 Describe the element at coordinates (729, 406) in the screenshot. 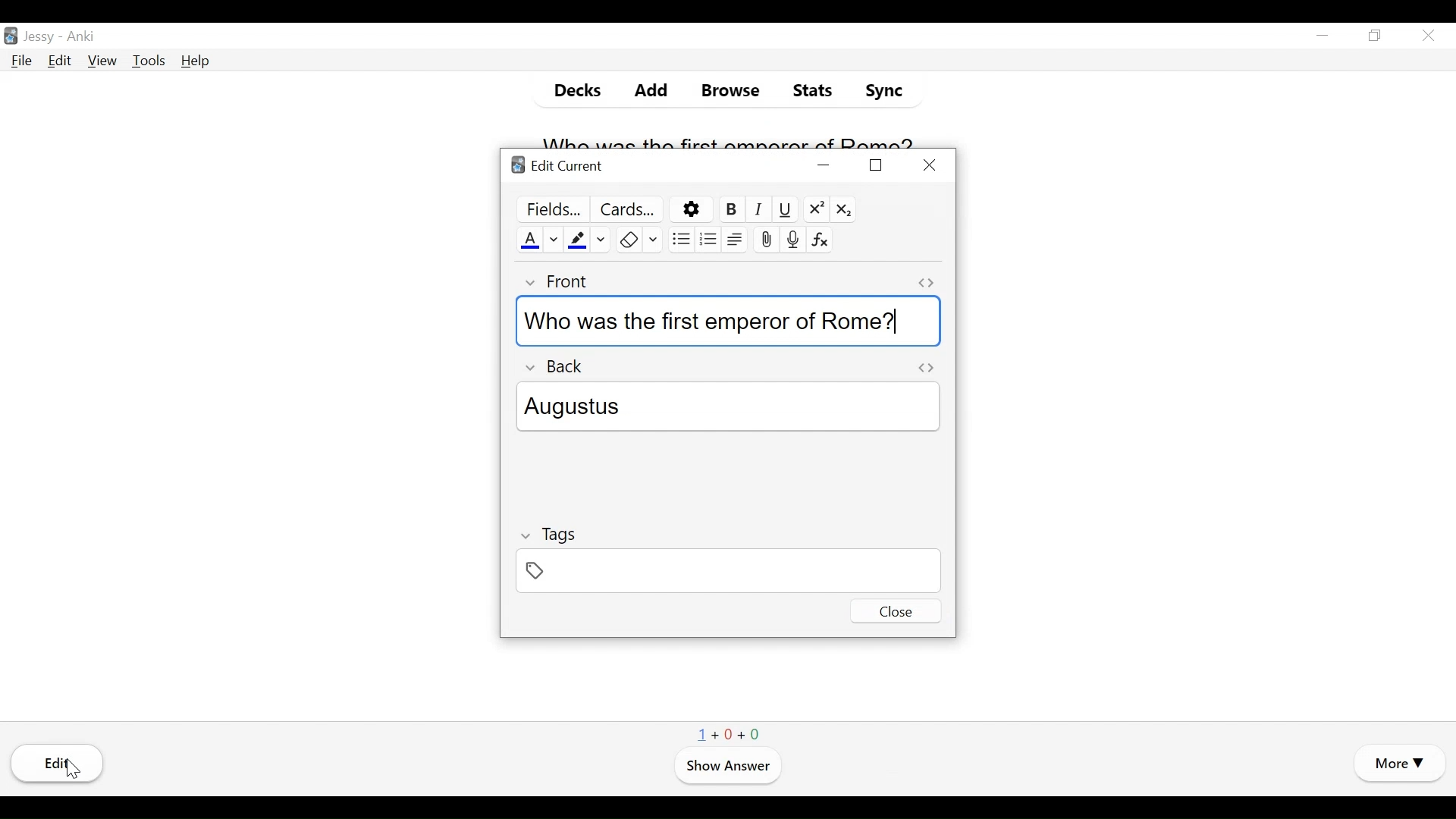

I see `Augustus` at that location.